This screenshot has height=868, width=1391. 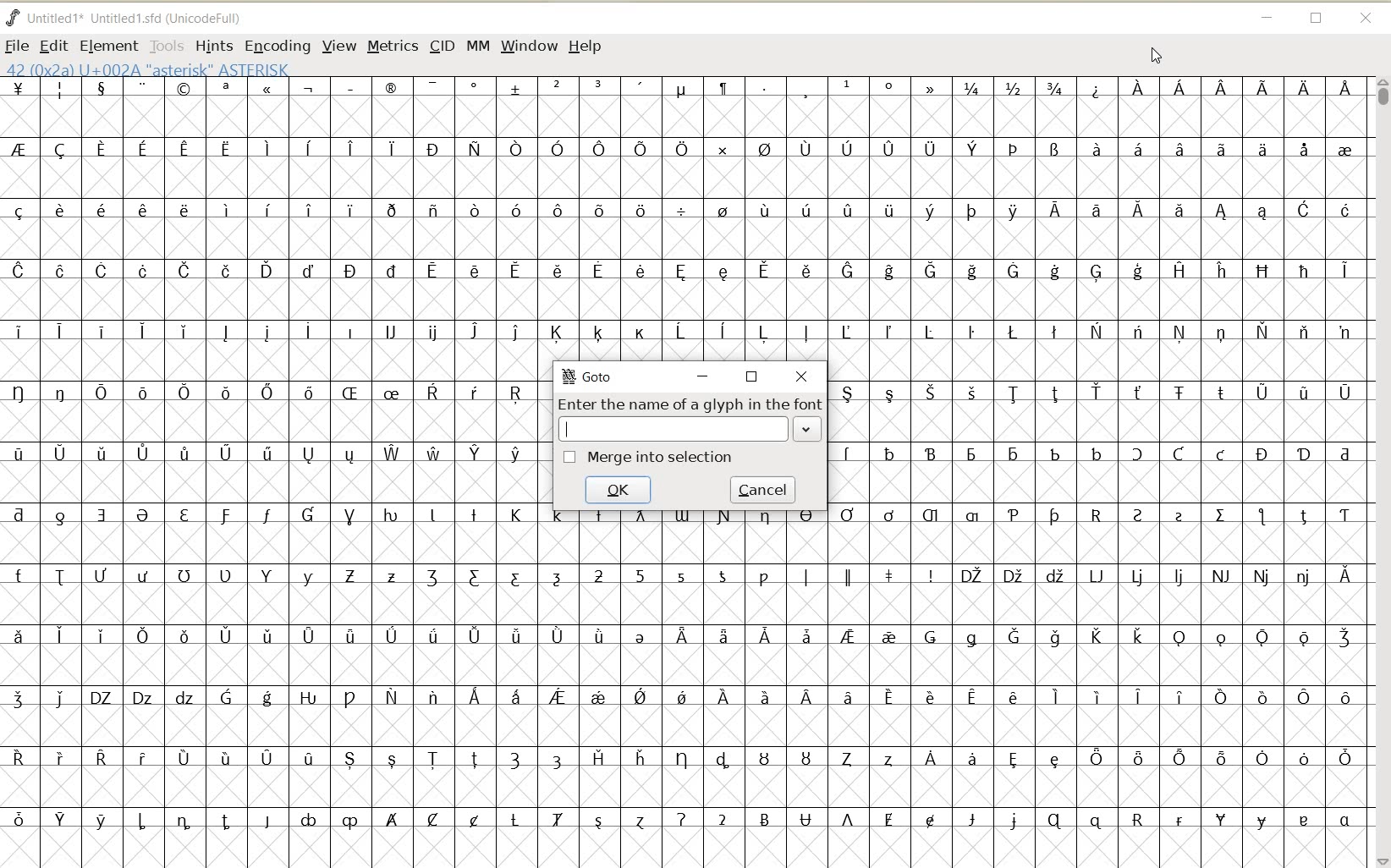 I want to click on RESTORE, so click(x=1317, y=19).